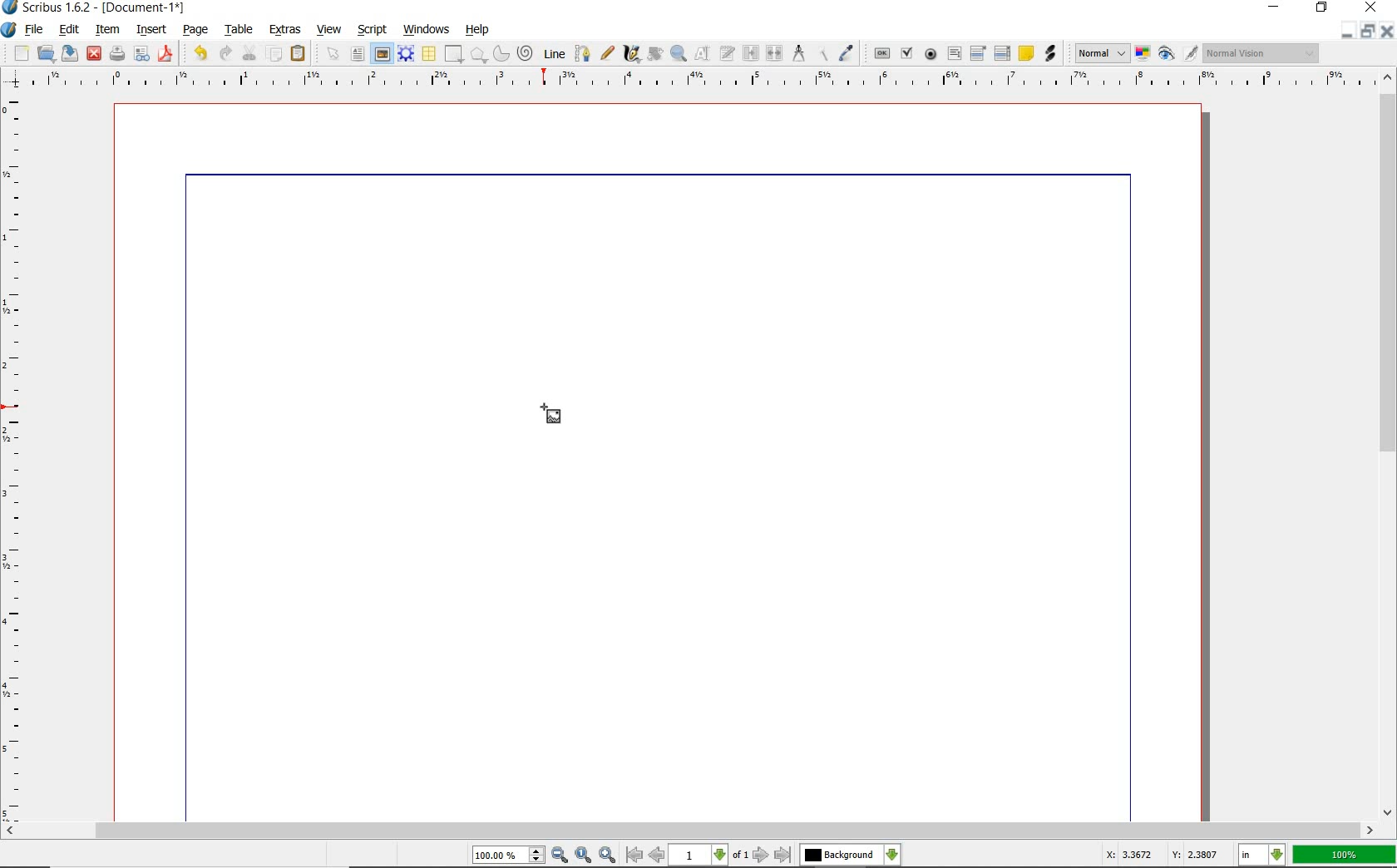  What do you see at coordinates (476, 30) in the screenshot?
I see `help` at bounding box center [476, 30].